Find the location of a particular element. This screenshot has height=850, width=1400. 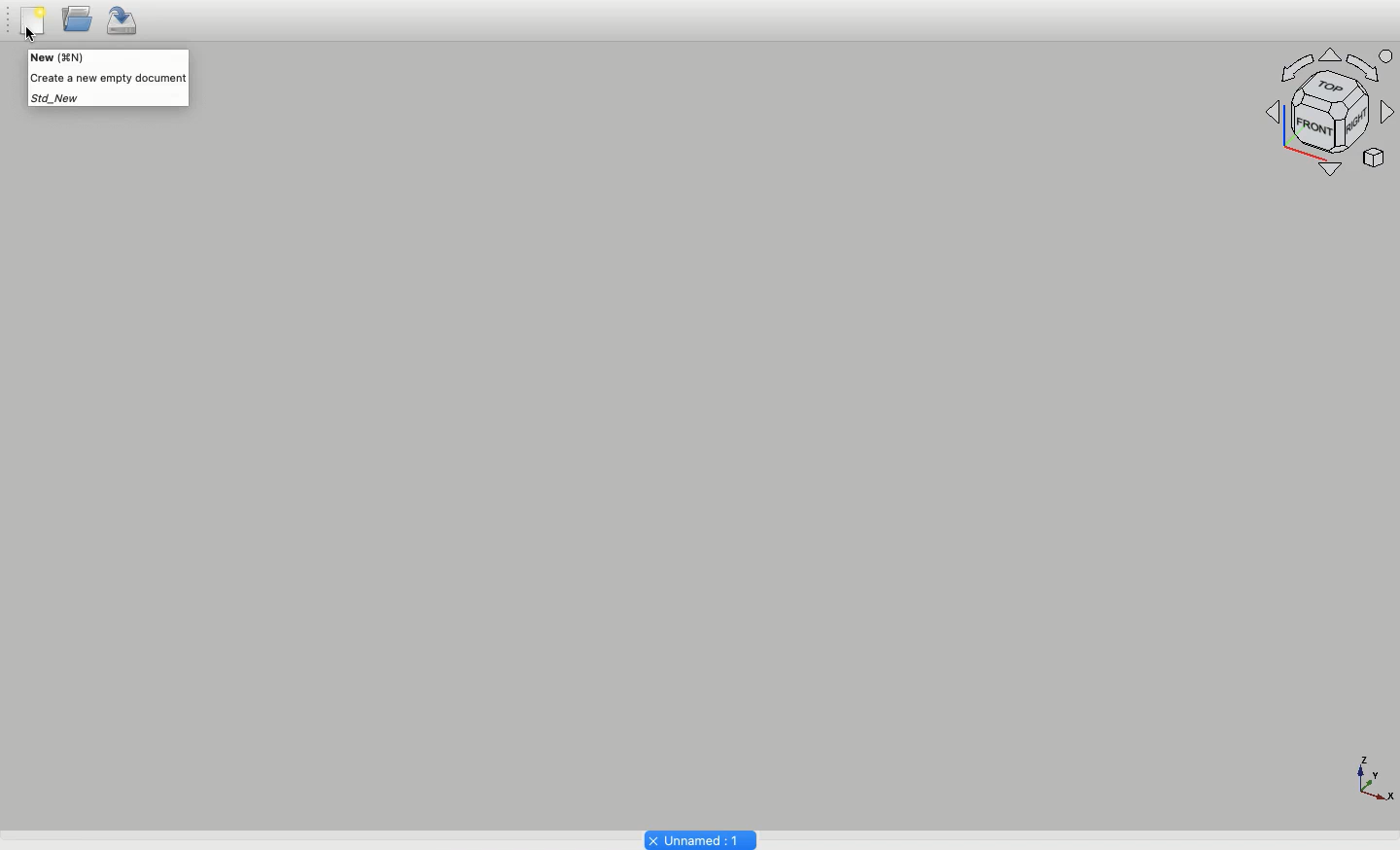

New is located at coordinates (32, 24).